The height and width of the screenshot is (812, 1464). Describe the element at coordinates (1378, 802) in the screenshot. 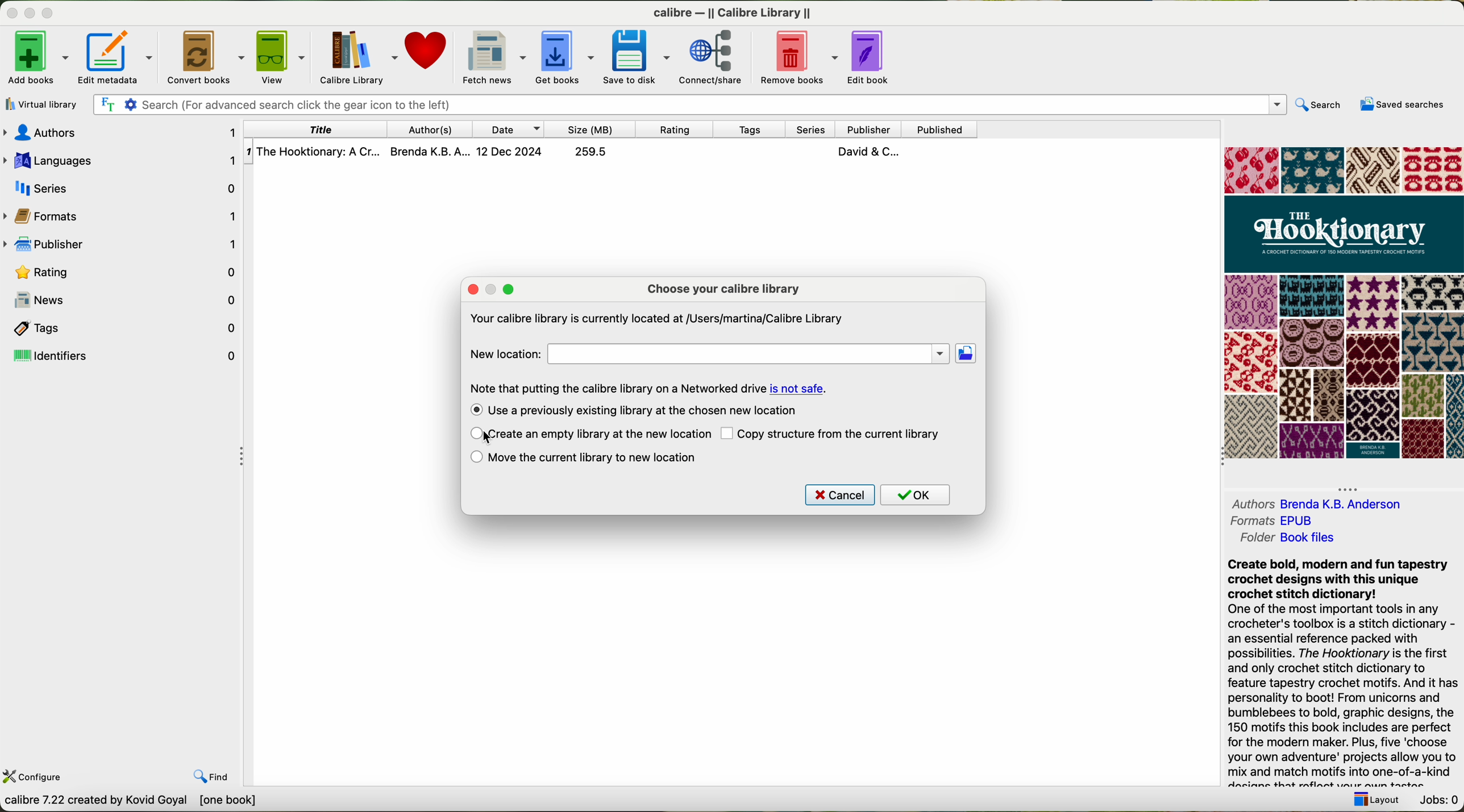

I see `layout` at that location.